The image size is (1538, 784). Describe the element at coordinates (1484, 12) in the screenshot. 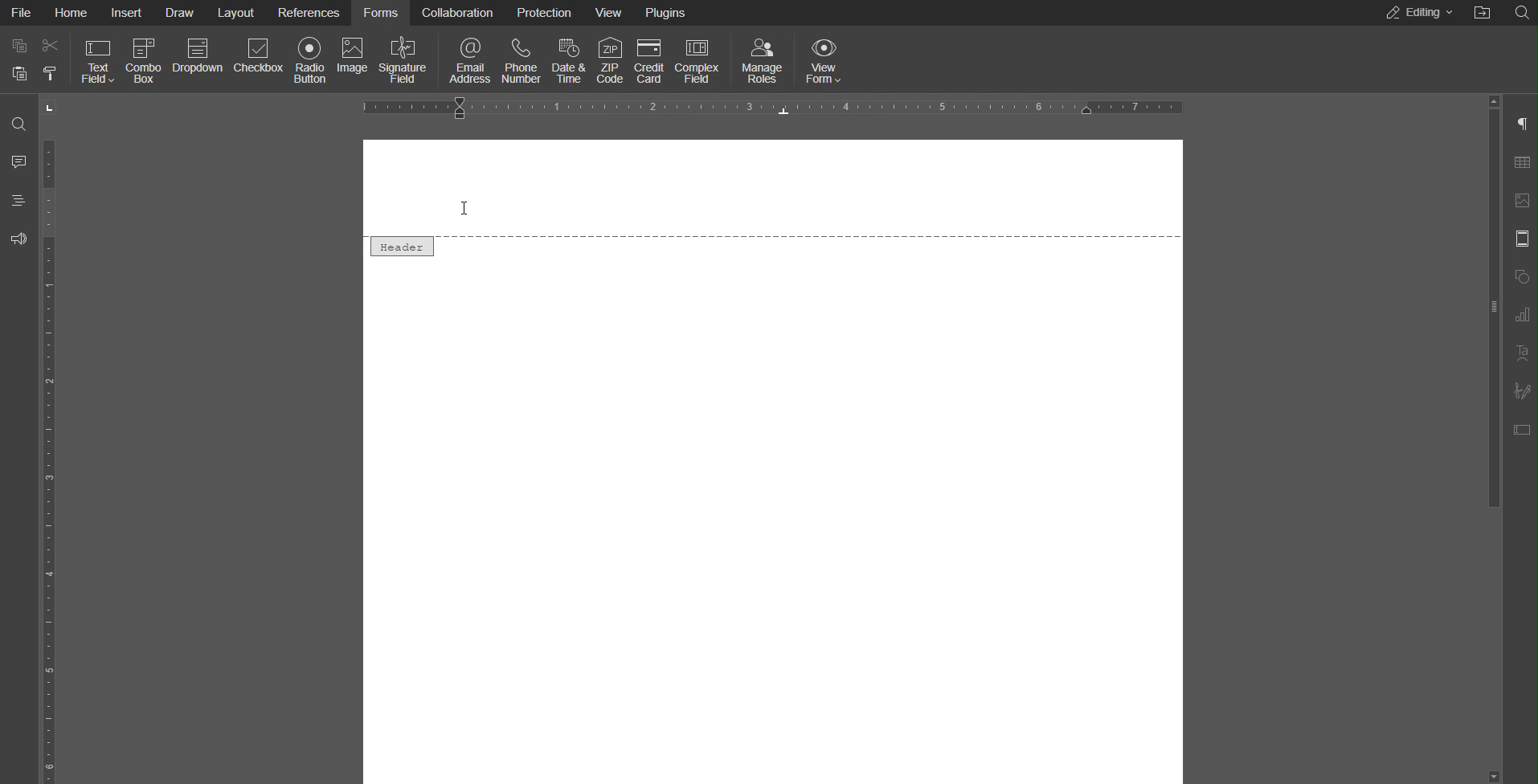

I see `Open File Location` at that location.